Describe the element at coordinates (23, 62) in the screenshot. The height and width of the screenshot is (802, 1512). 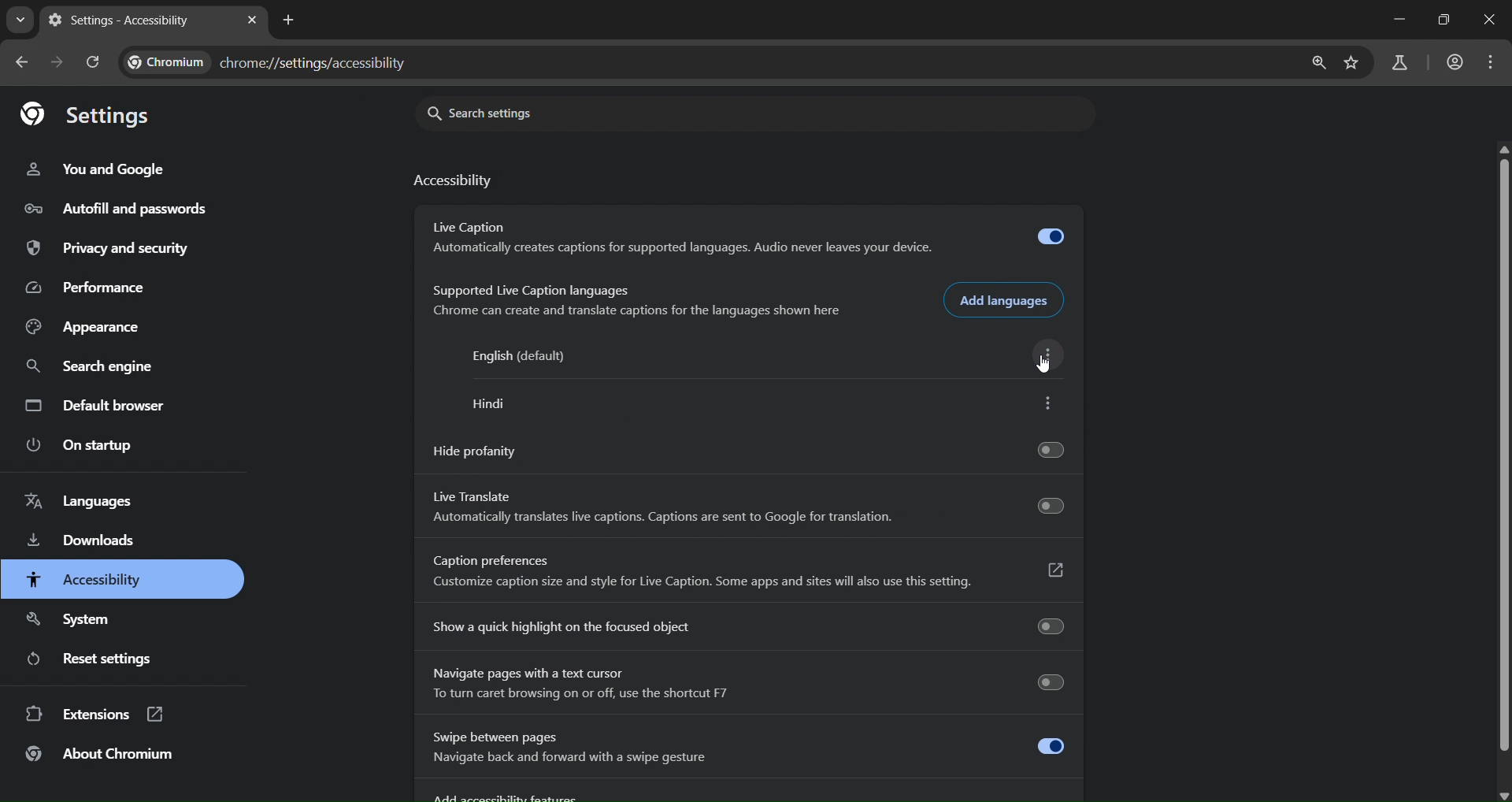
I see `go back one page` at that location.